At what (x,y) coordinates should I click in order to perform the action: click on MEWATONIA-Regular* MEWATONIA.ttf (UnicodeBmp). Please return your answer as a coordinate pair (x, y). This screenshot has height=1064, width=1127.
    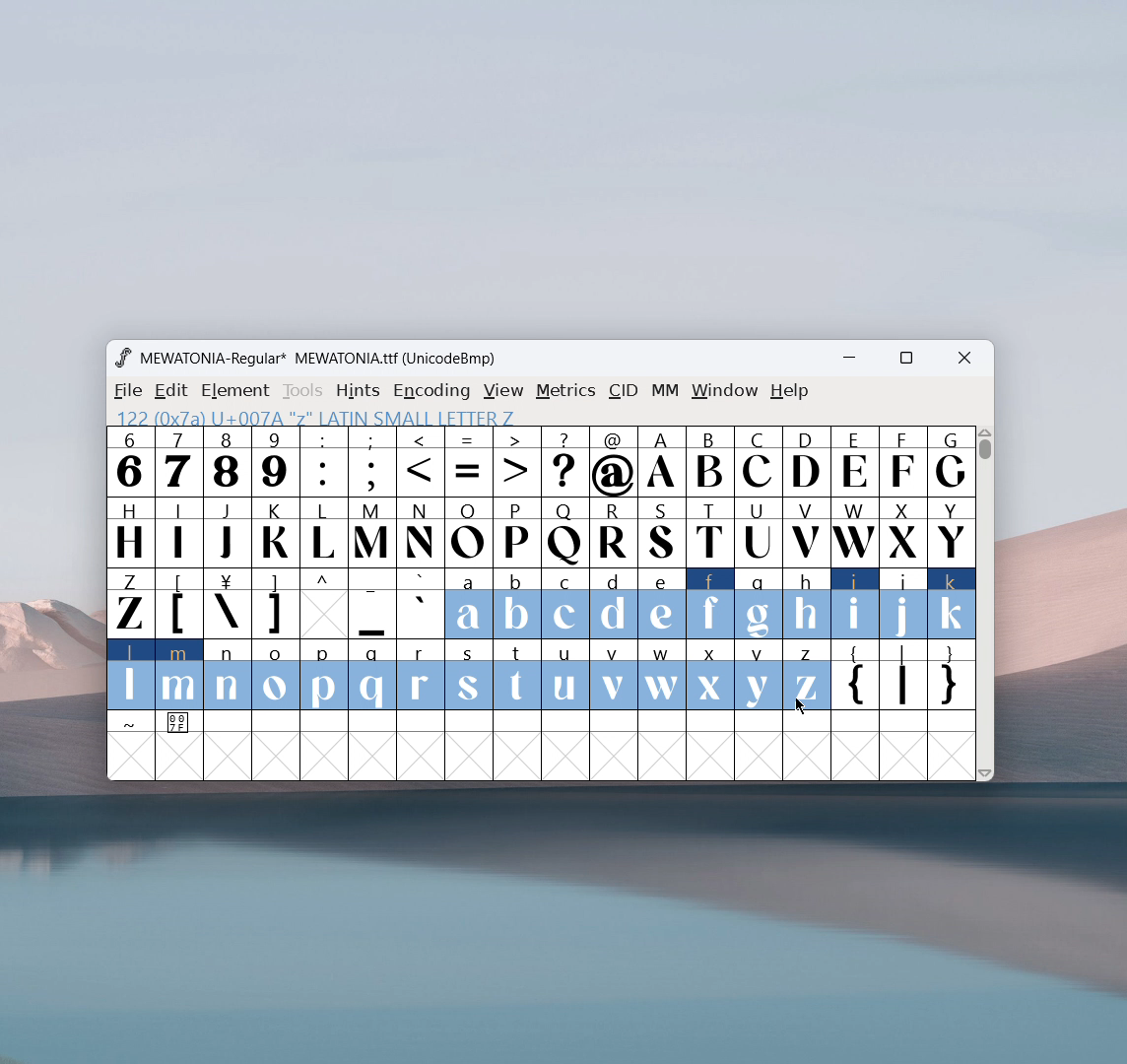
    Looking at the image, I should click on (321, 359).